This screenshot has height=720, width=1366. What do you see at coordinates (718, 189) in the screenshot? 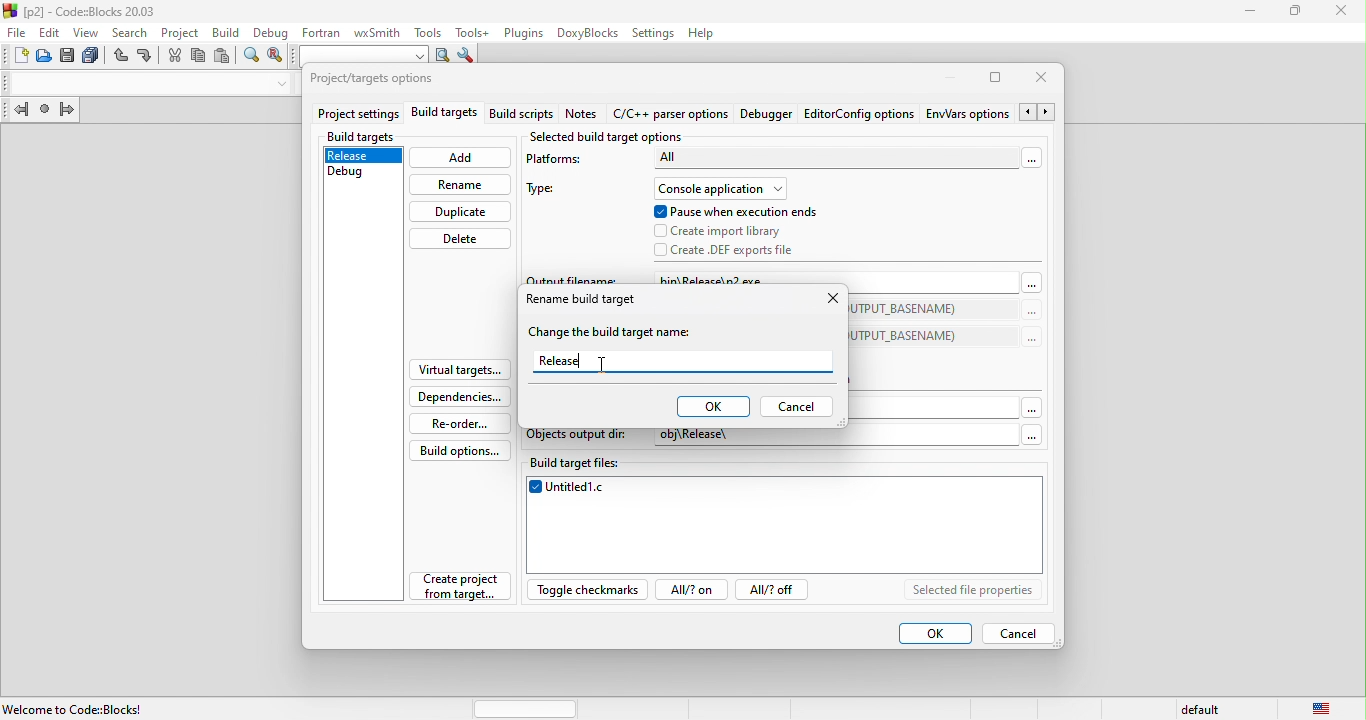
I see `console application` at bounding box center [718, 189].